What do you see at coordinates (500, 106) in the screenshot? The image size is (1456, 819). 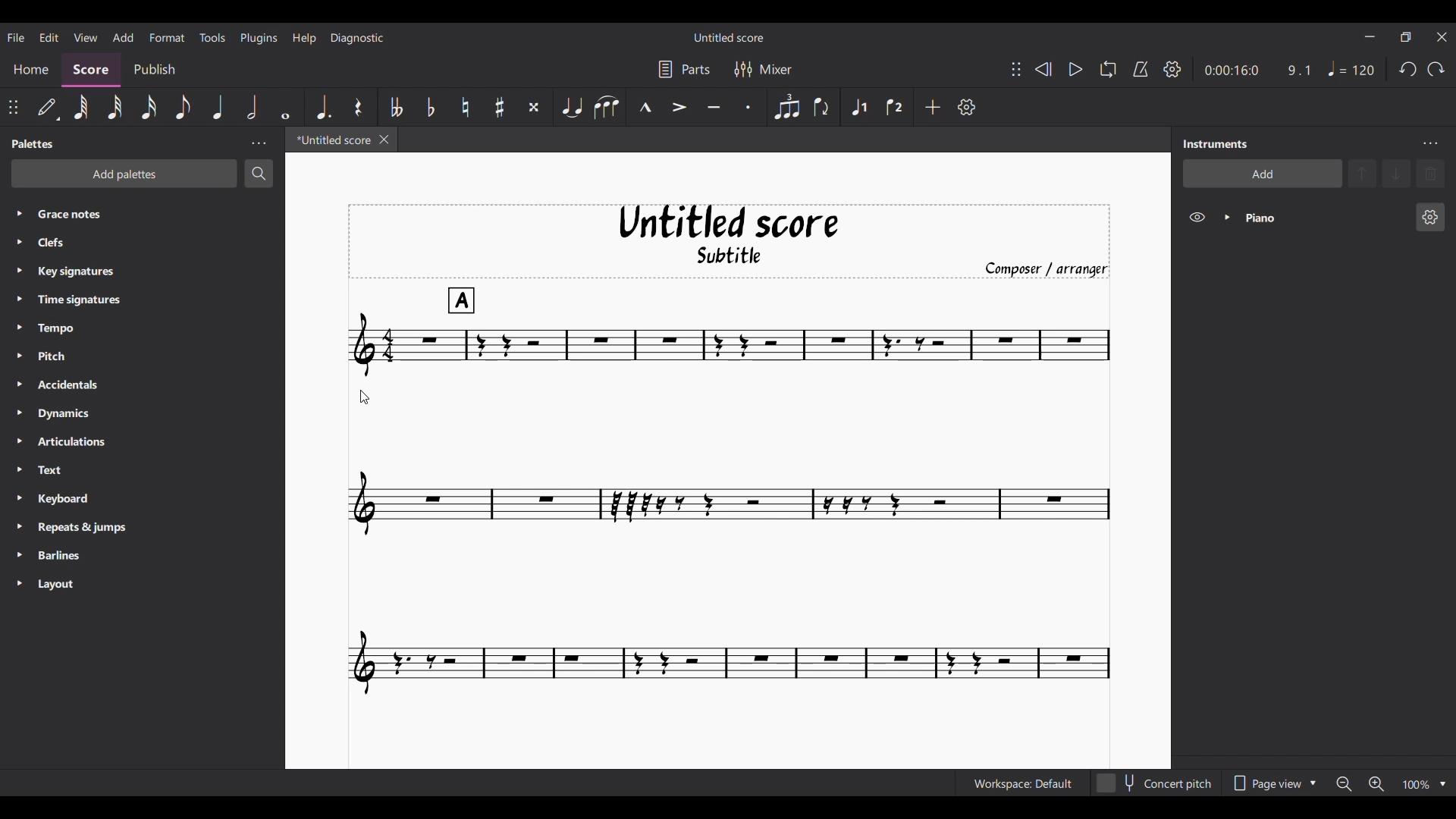 I see `Toggle sharp` at bounding box center [500, 106].